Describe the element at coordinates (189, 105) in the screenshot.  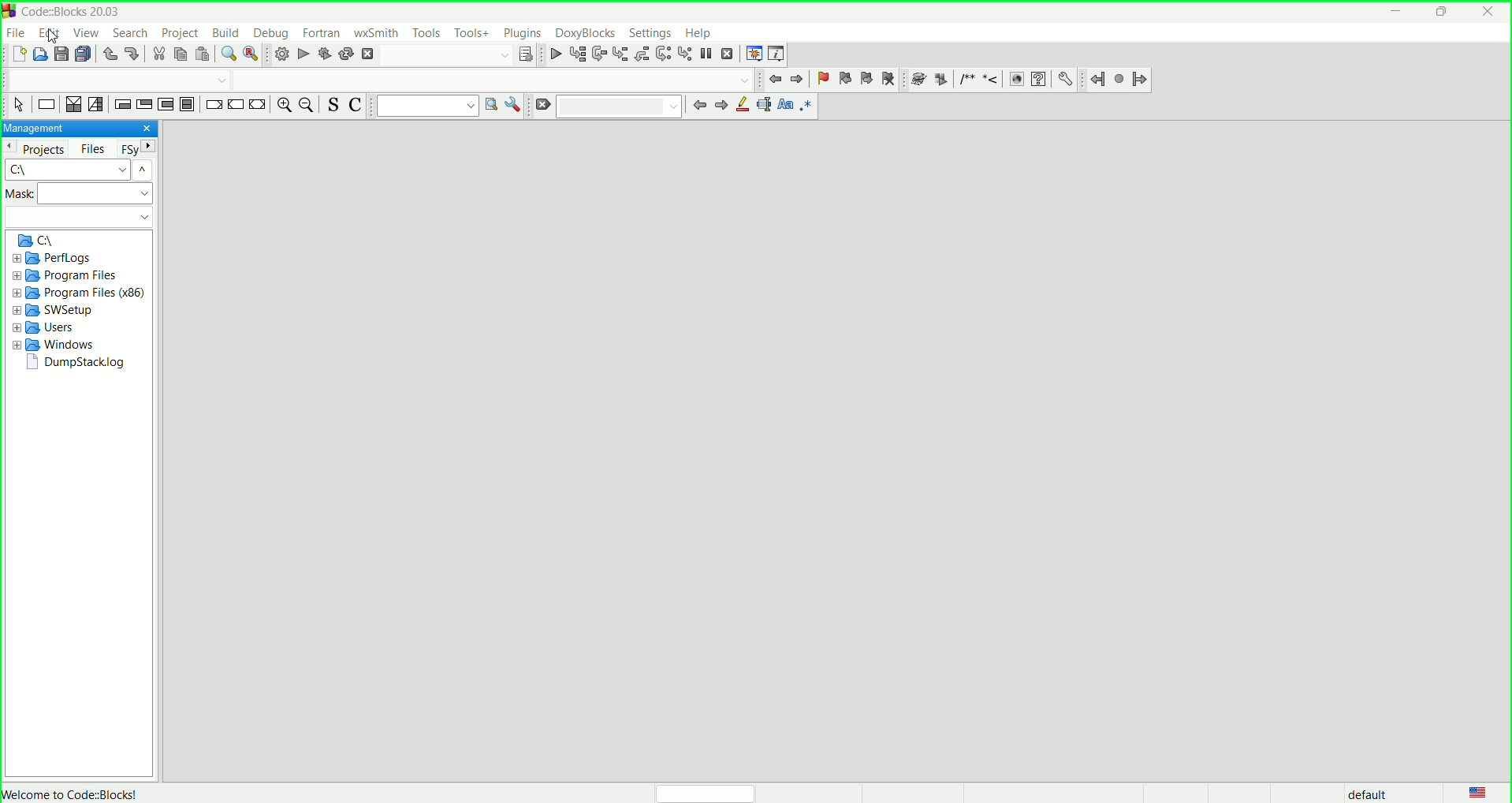
I see `block instruction` at that location.